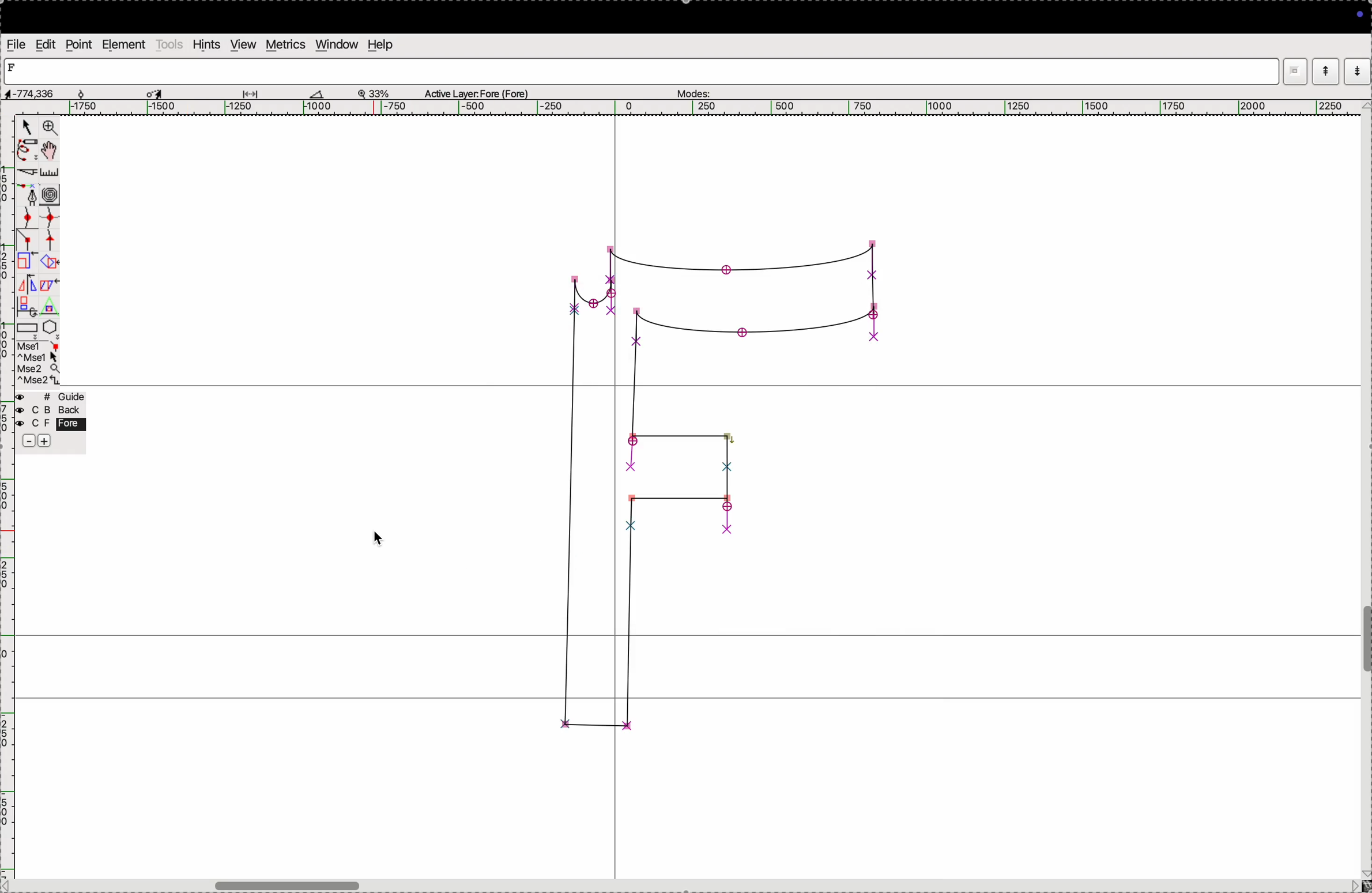 Image resolution: width=1372 pixels, height=893 pixels. Describe the element at coordinates (692, 91) in the screenshot. I see `modes` at that location.